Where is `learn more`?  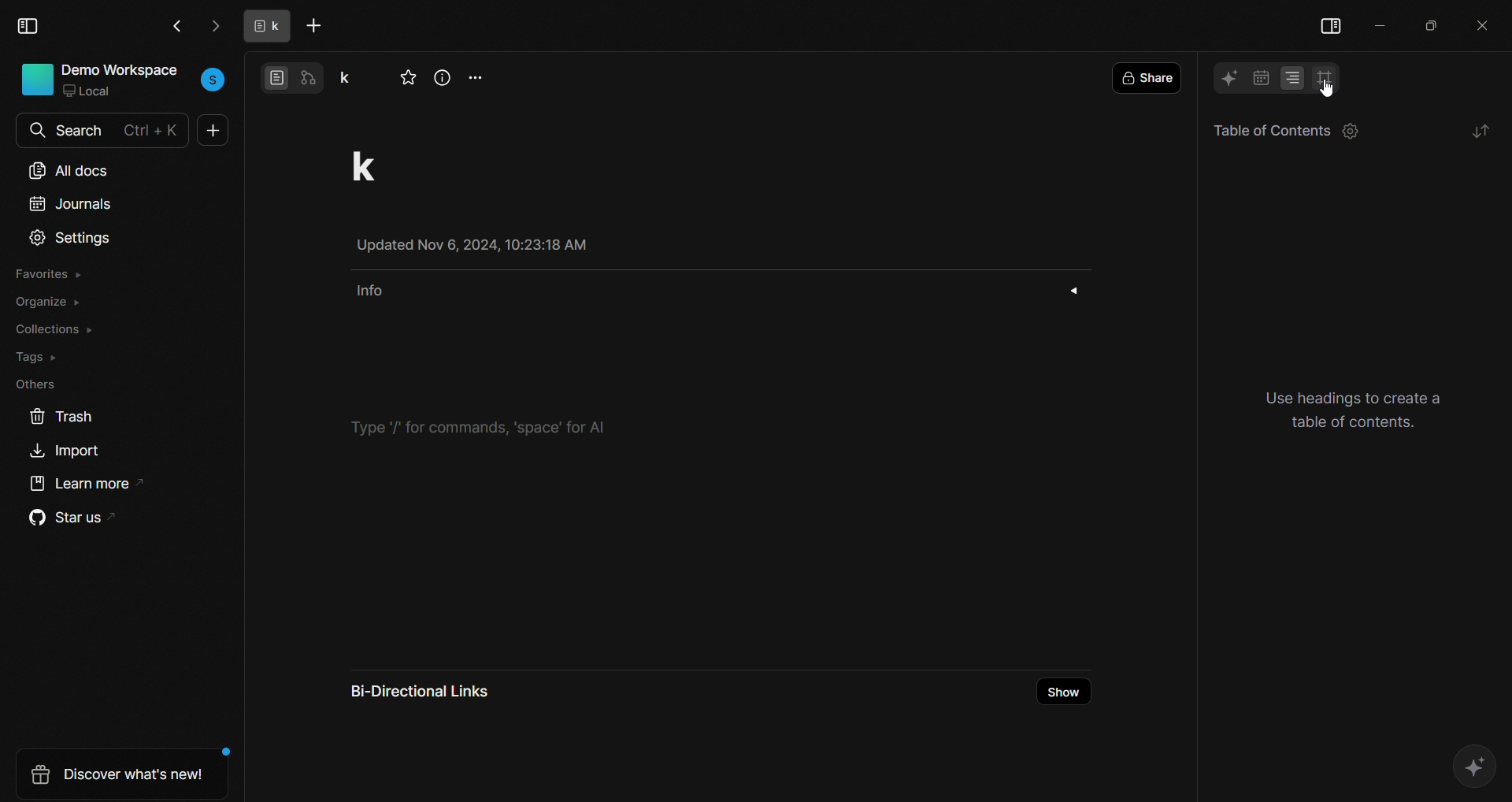
learn more is located at coordinates (82, 488).